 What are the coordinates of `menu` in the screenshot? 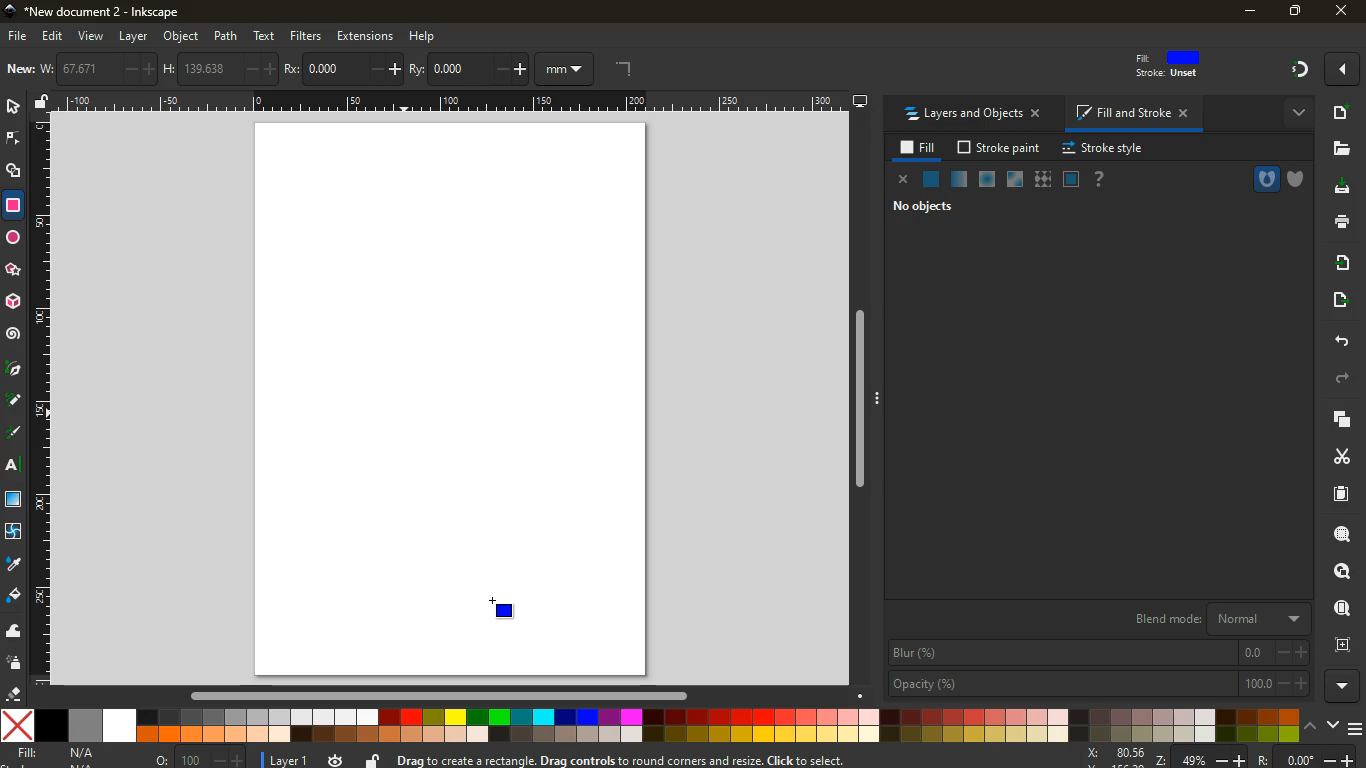 It's located at (1354, 729).